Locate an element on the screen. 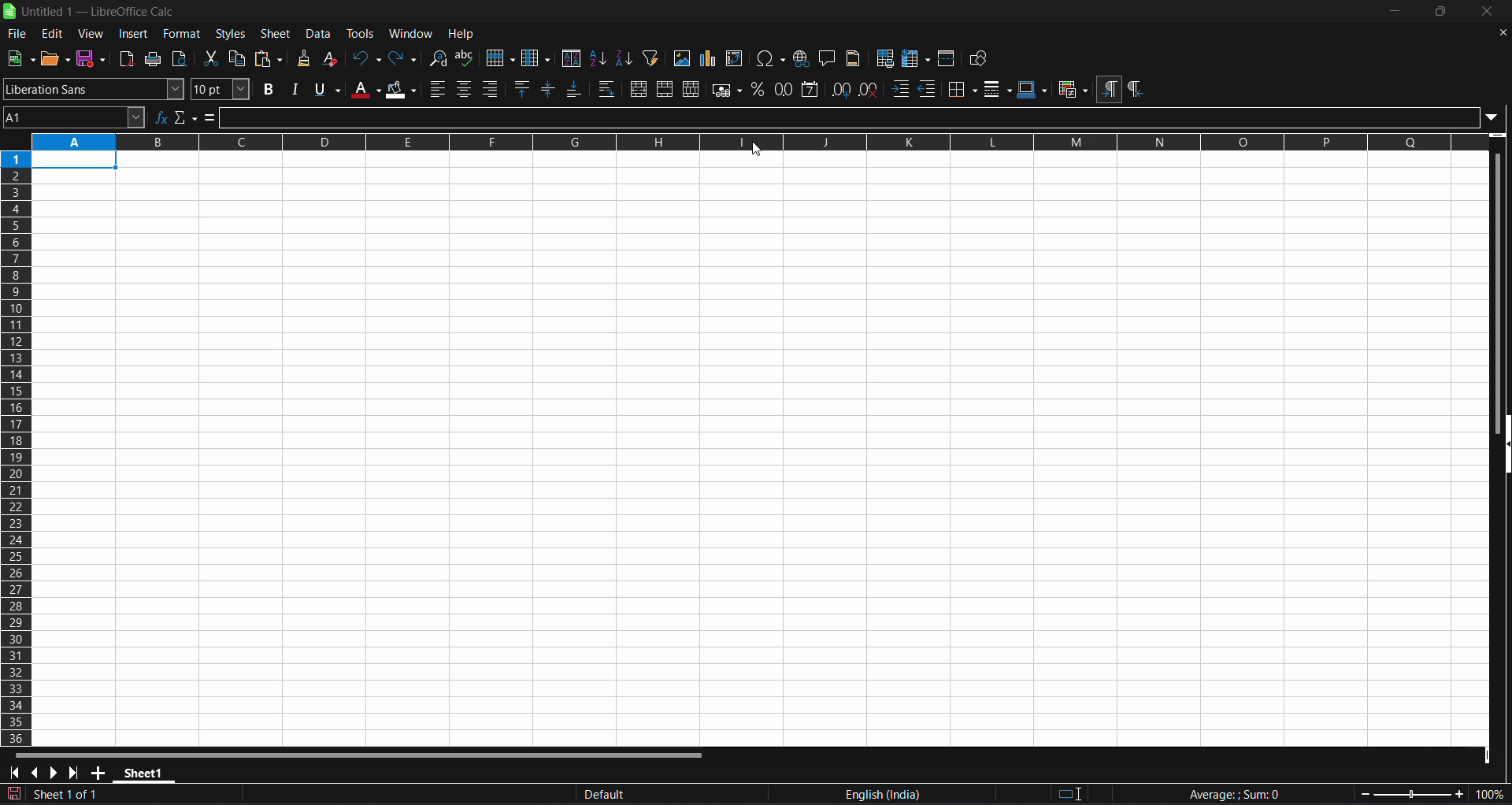 The height and width of the screenshot is (805, 1512). vertical scroll bar is located at coordinates (1494, 284).